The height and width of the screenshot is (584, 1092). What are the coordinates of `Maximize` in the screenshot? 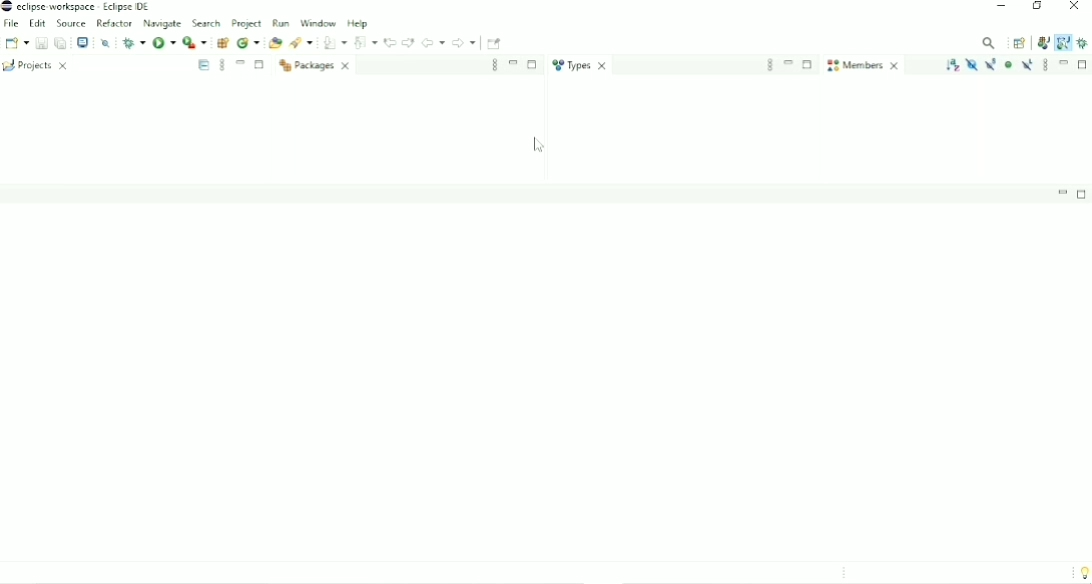 It's located at (1083, 193).